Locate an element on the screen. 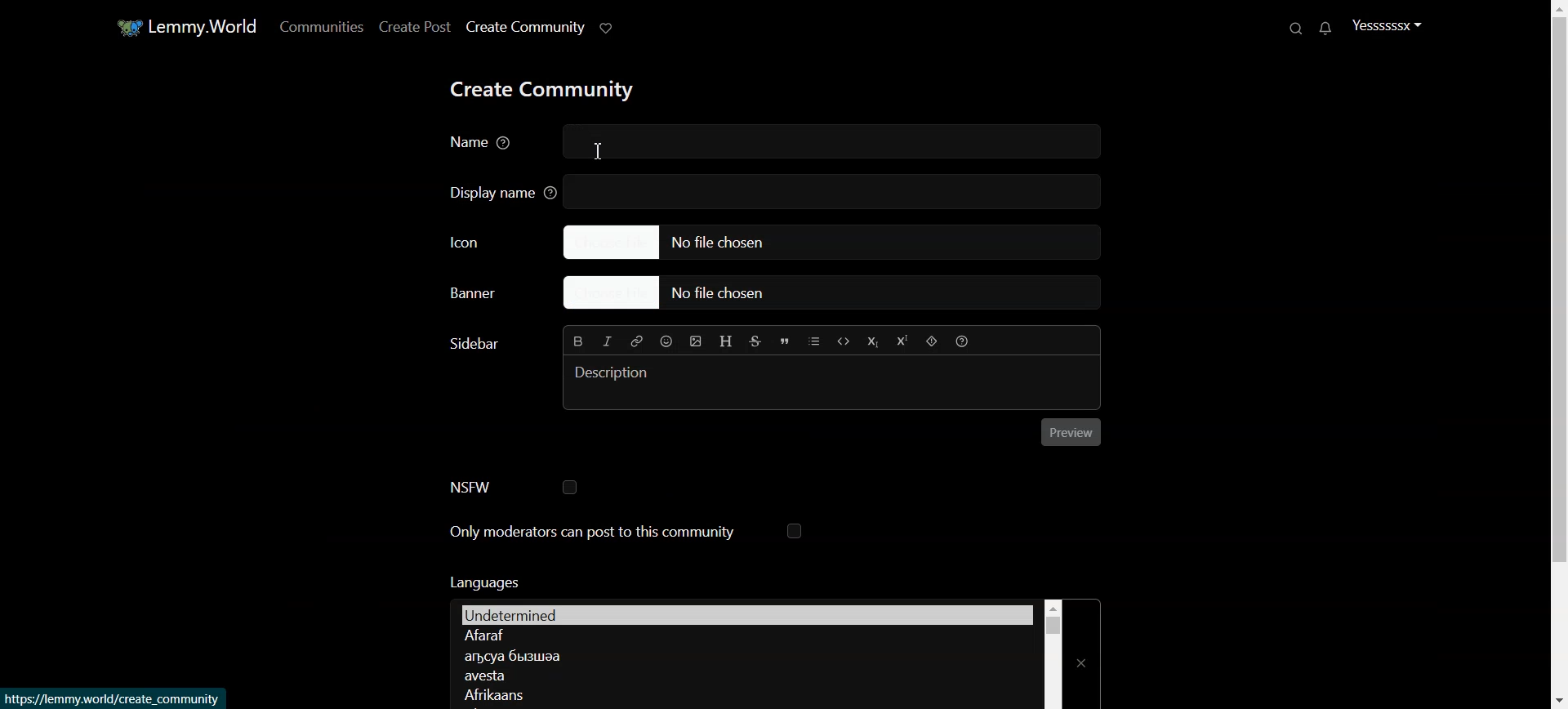 The image size is (1568, 709). Italic is located at coordinates (608, 341).